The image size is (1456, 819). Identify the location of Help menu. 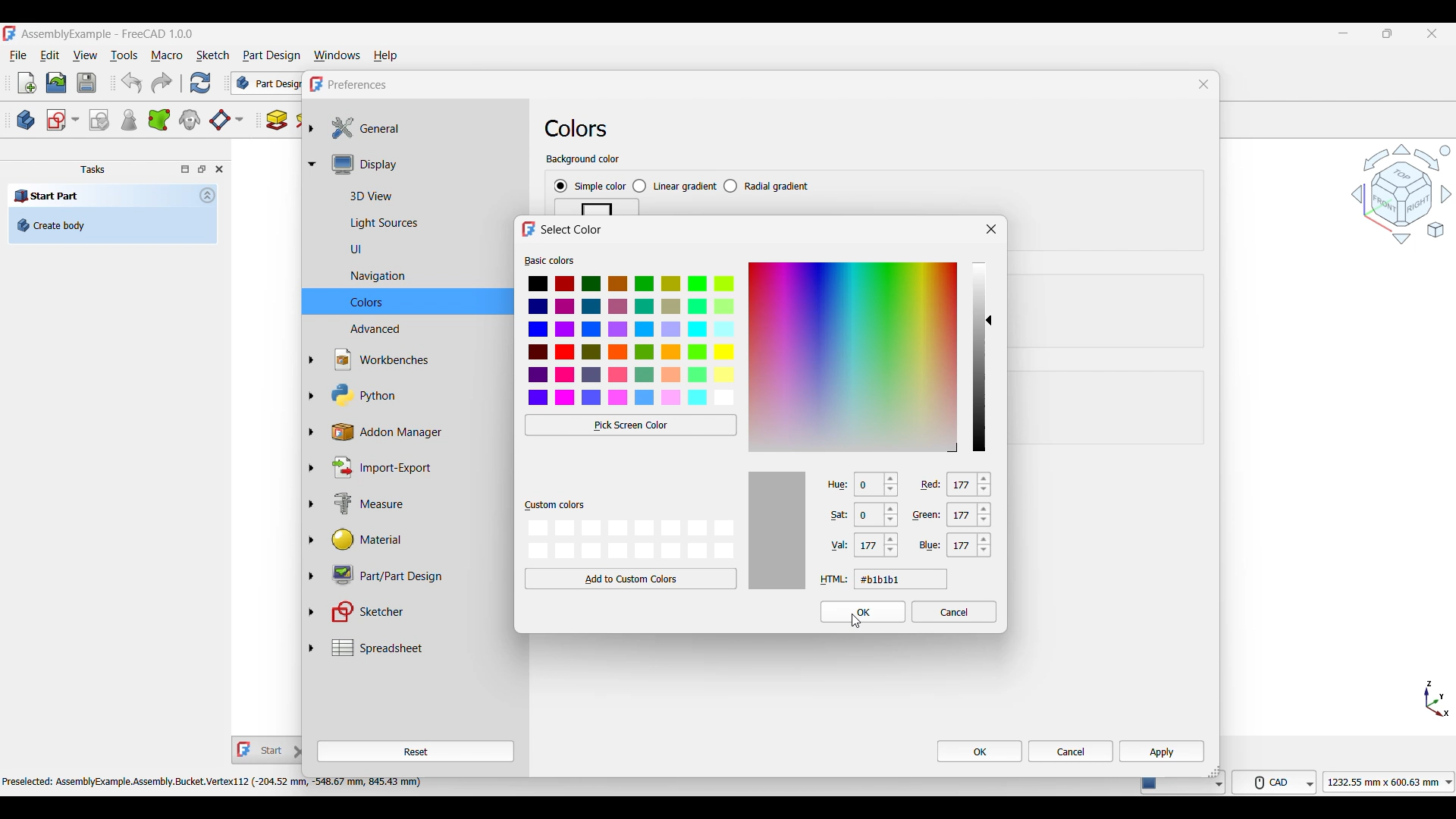
(386, 56).